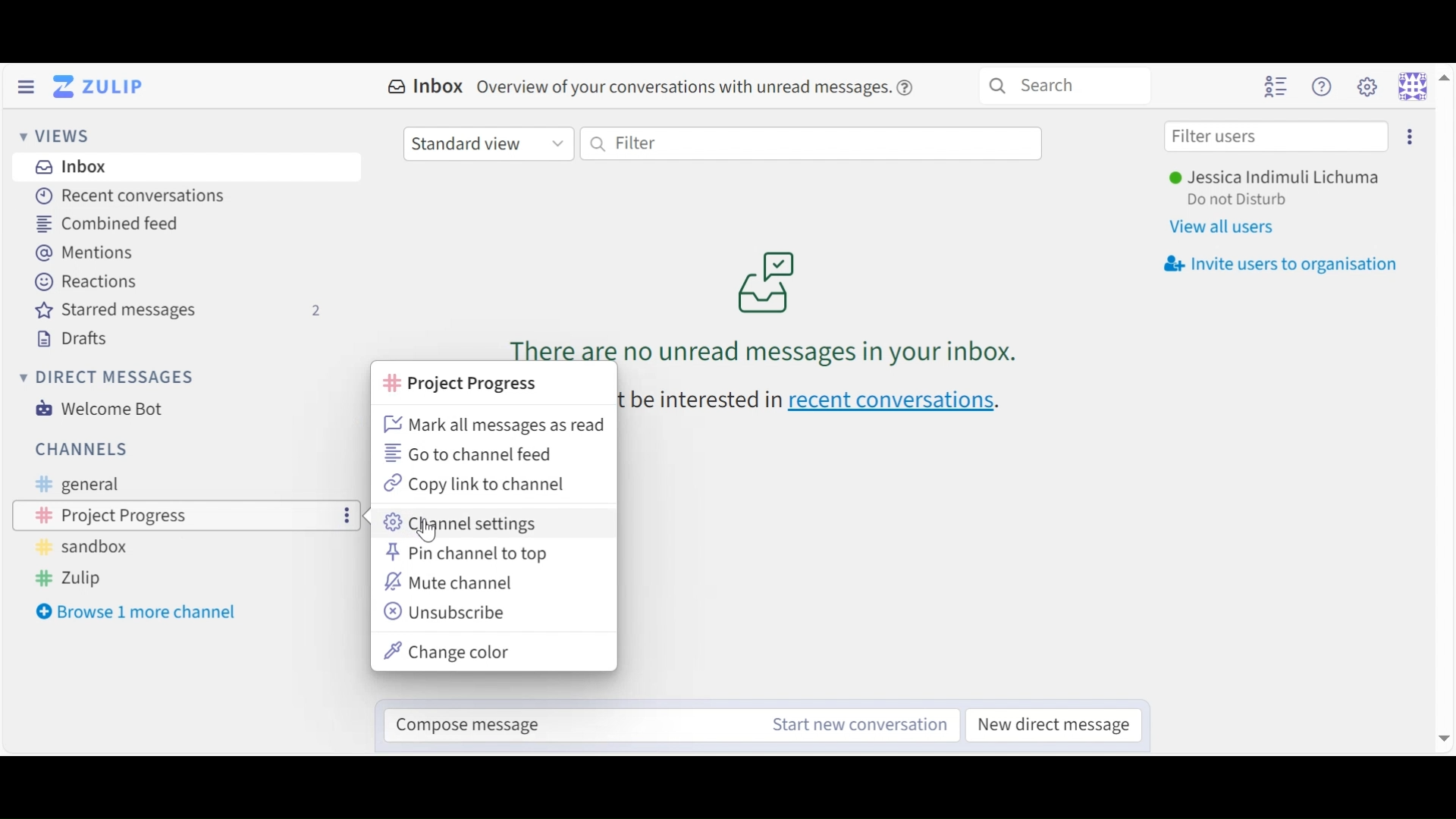  I want to click on cursor, so click(430, 534).